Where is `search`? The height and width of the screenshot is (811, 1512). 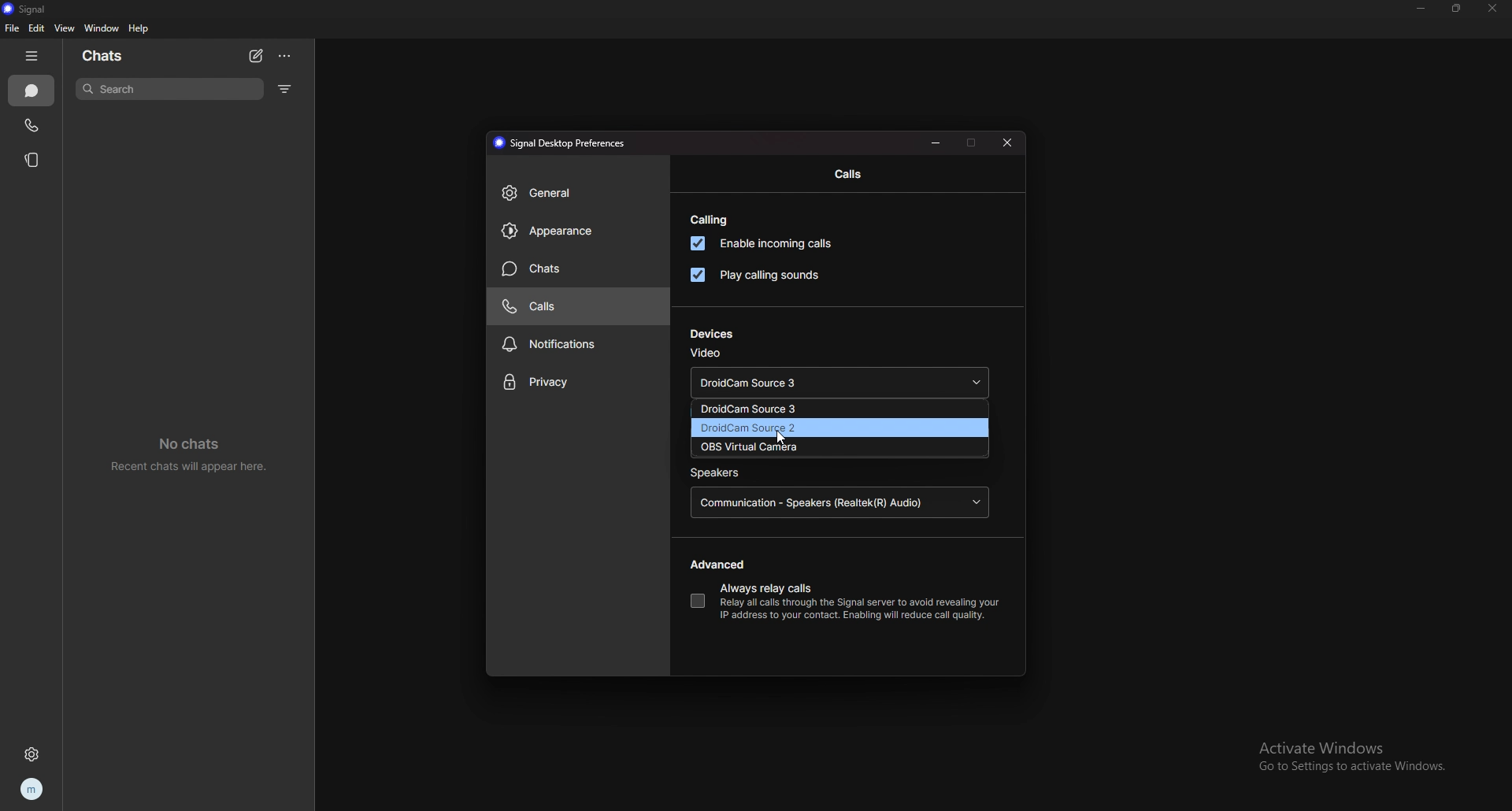
search is located at coordinates (172, 88).